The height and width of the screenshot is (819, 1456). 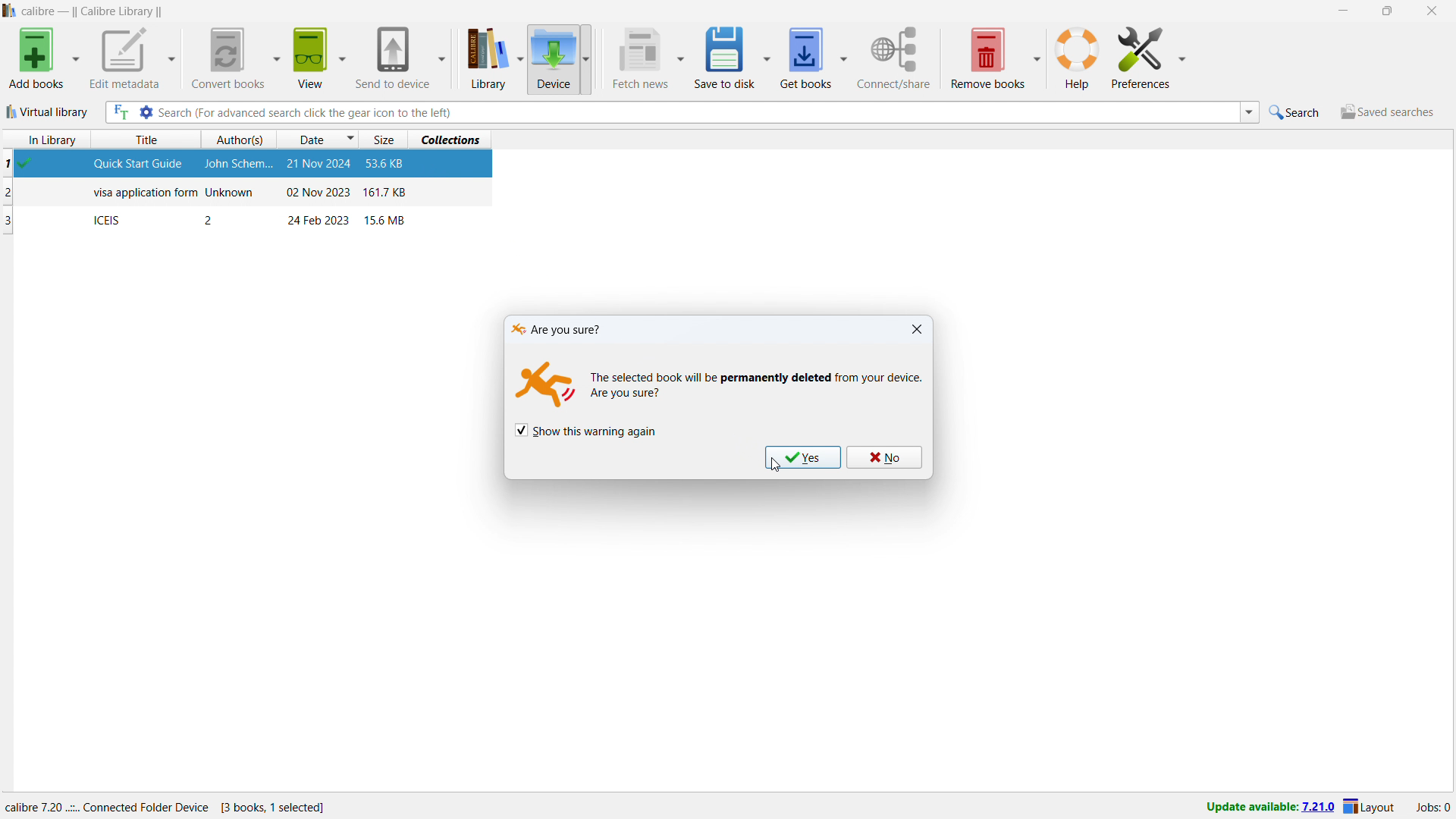 What do you see at coordinates (1181, 55) in the screenshot?
I see `preferences options` at bounding box center [1181, 55].